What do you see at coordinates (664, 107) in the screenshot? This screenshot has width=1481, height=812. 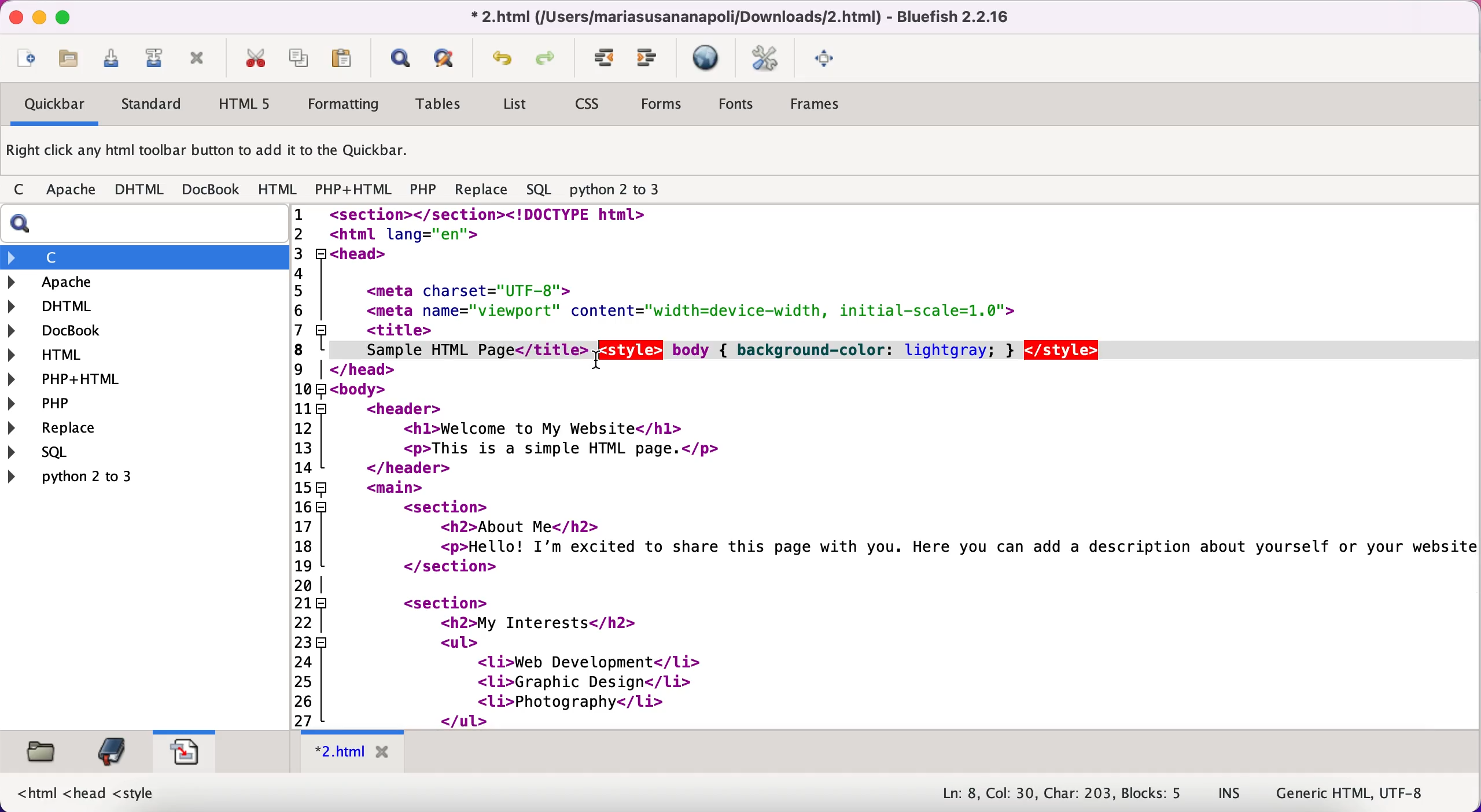 I see `forms` at bounding box center [664, 107].